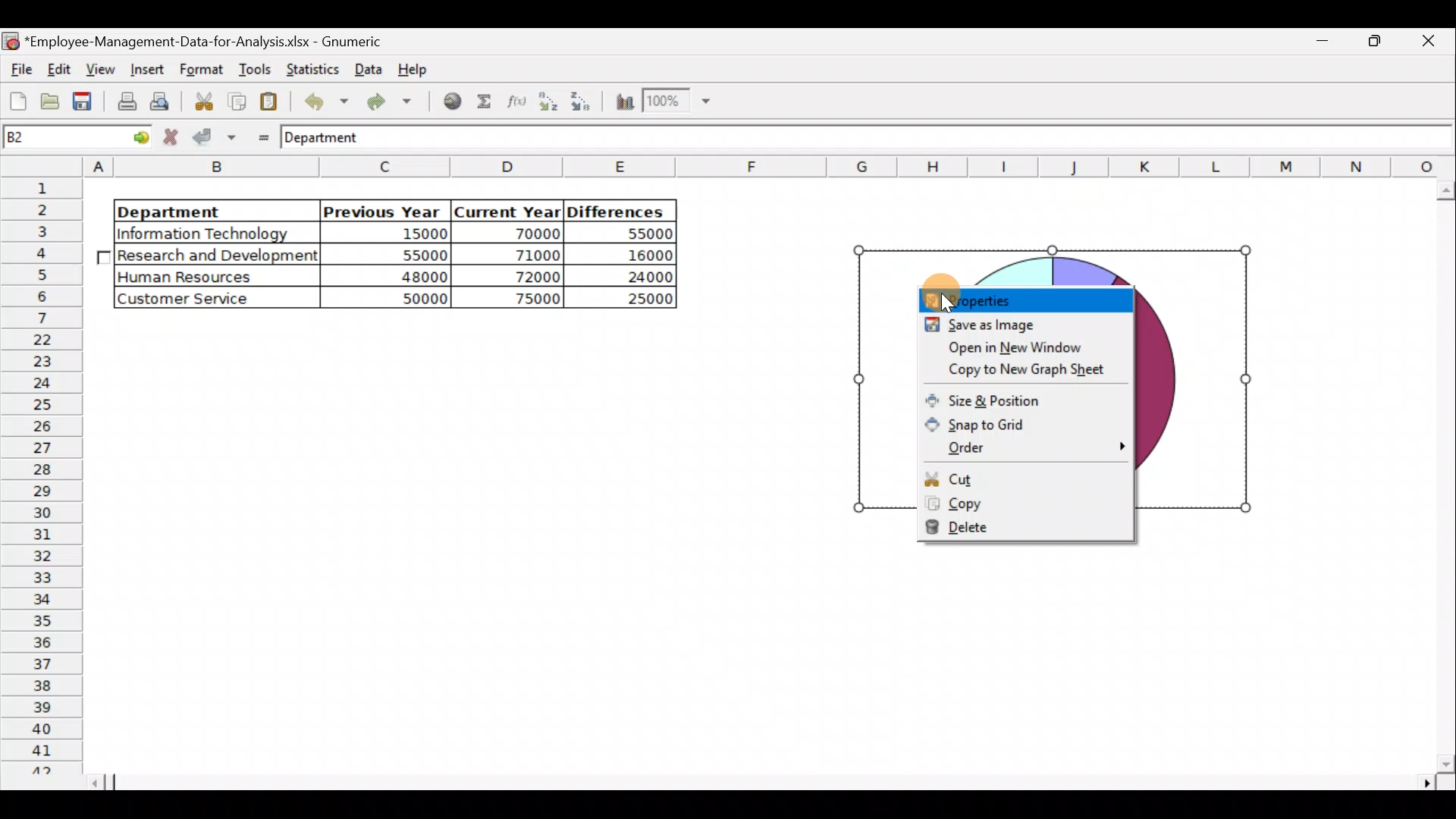 The height and width of the screenshot is (819, 1456). Describe the element at coordinates (61, 67) in the screenshot. I see `Edit` at that location.